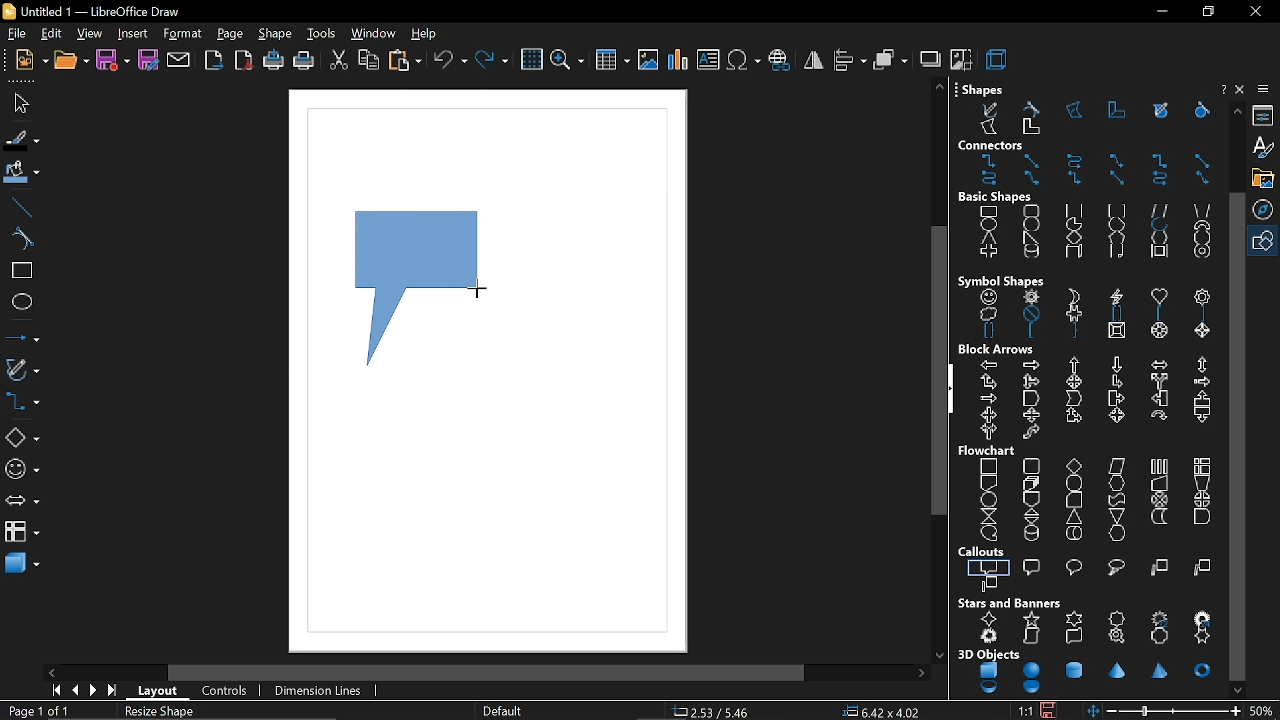 This screenshot has width=1280, height=720. I want to click on circle segment, so click(1116, 225).